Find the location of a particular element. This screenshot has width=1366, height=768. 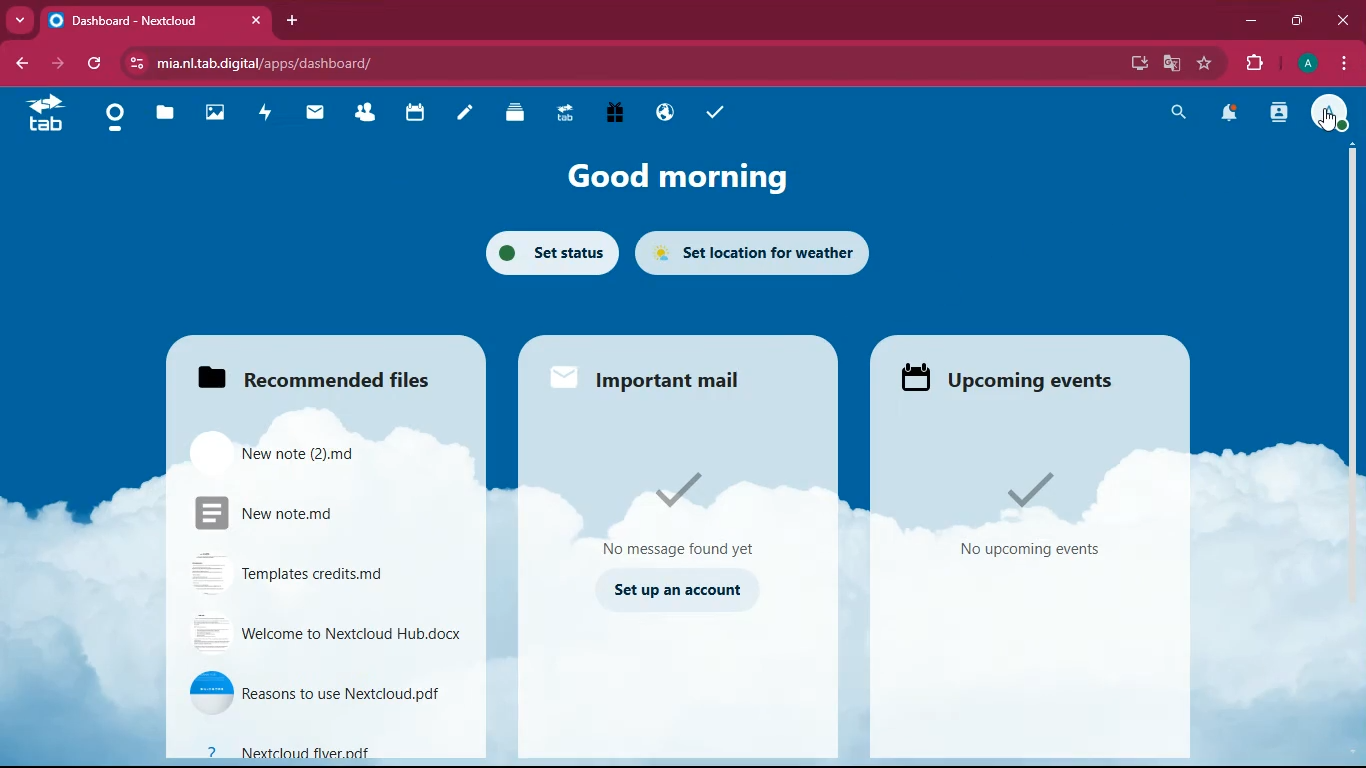

gift is located at coordinates (623, 113).